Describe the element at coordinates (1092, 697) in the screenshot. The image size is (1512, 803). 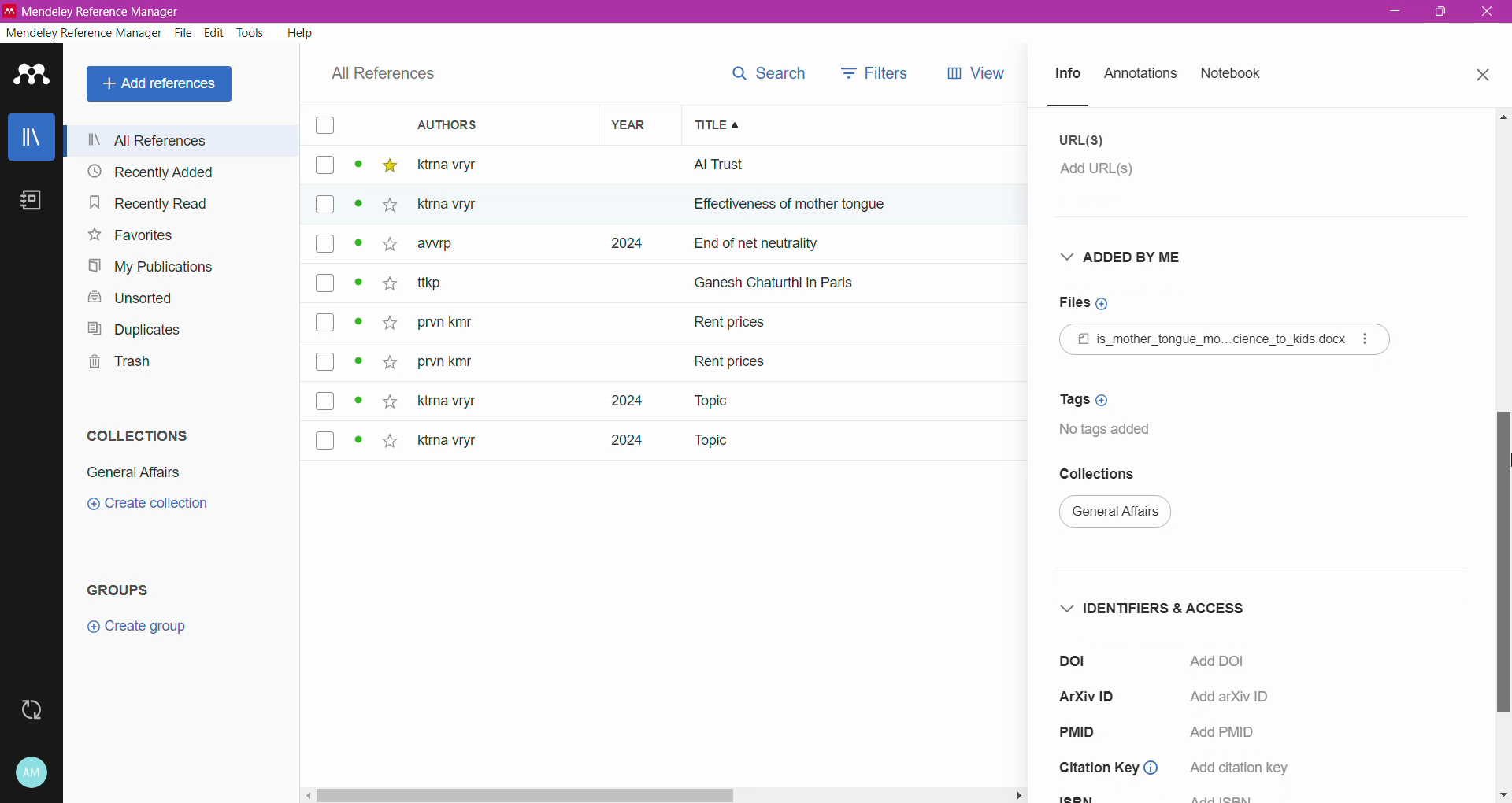
I see `ArXiV ID` at that location.